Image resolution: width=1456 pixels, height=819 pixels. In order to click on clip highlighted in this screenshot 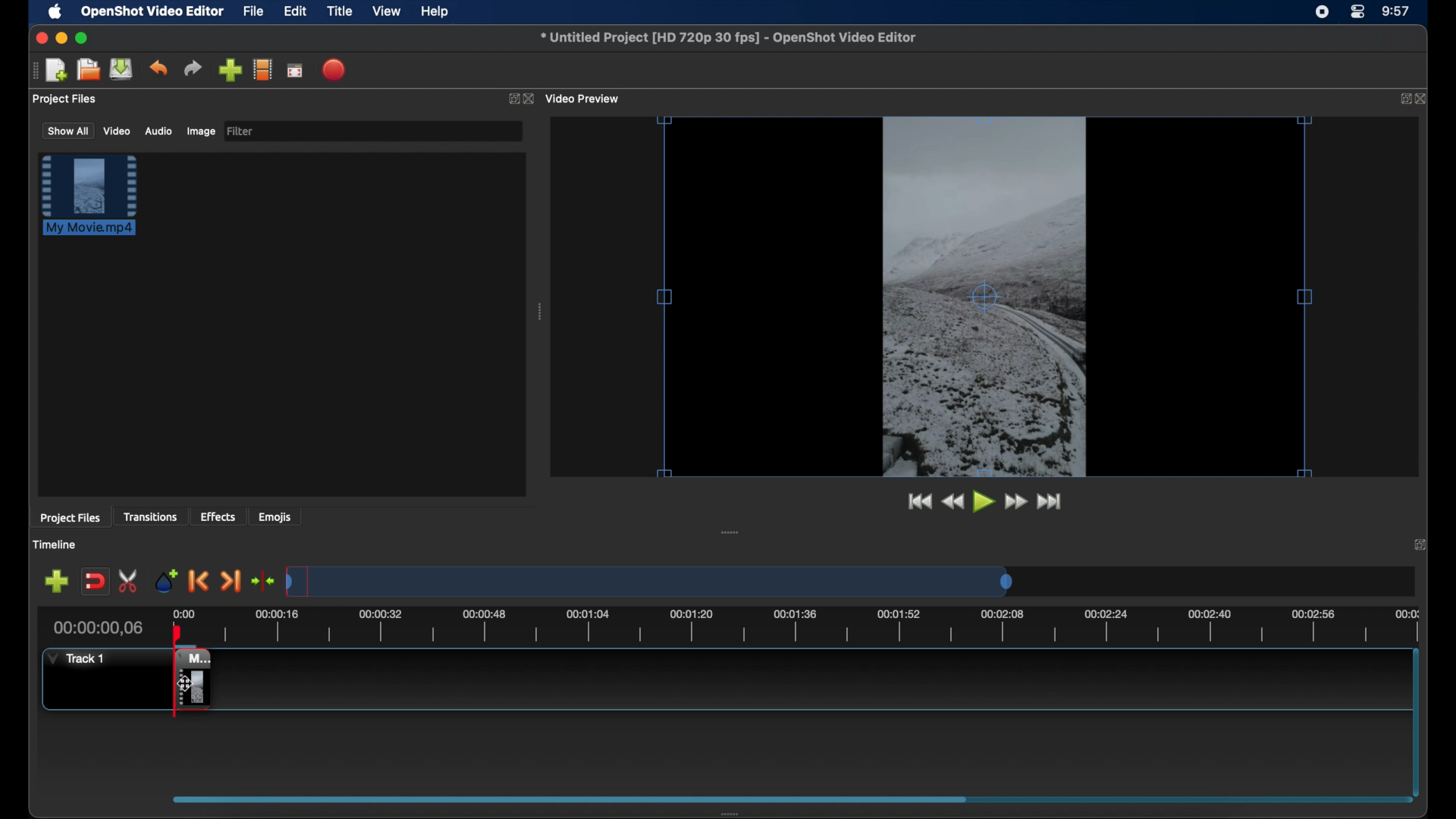, I will do `click(96, 202)`.